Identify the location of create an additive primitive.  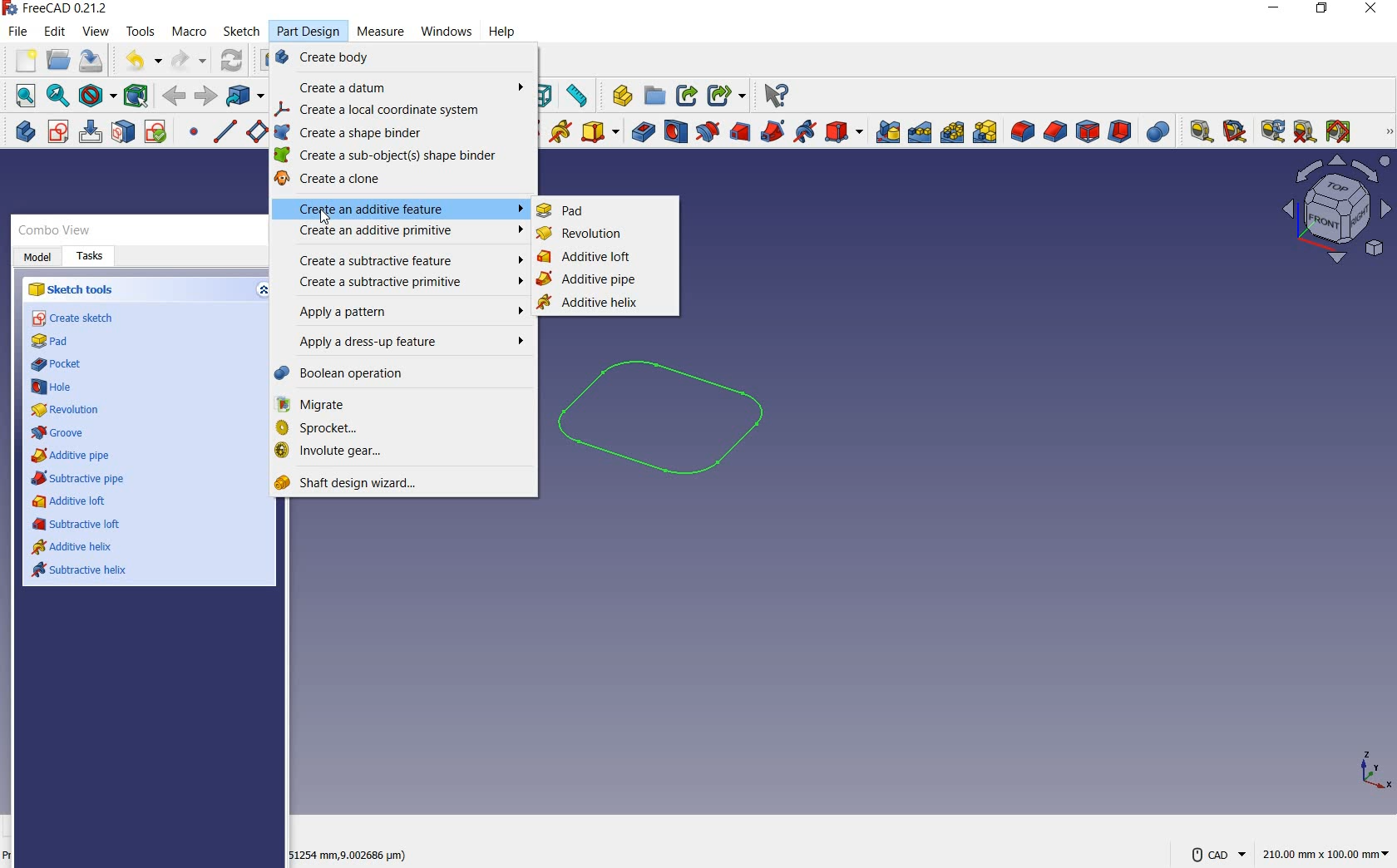
(403, 232).